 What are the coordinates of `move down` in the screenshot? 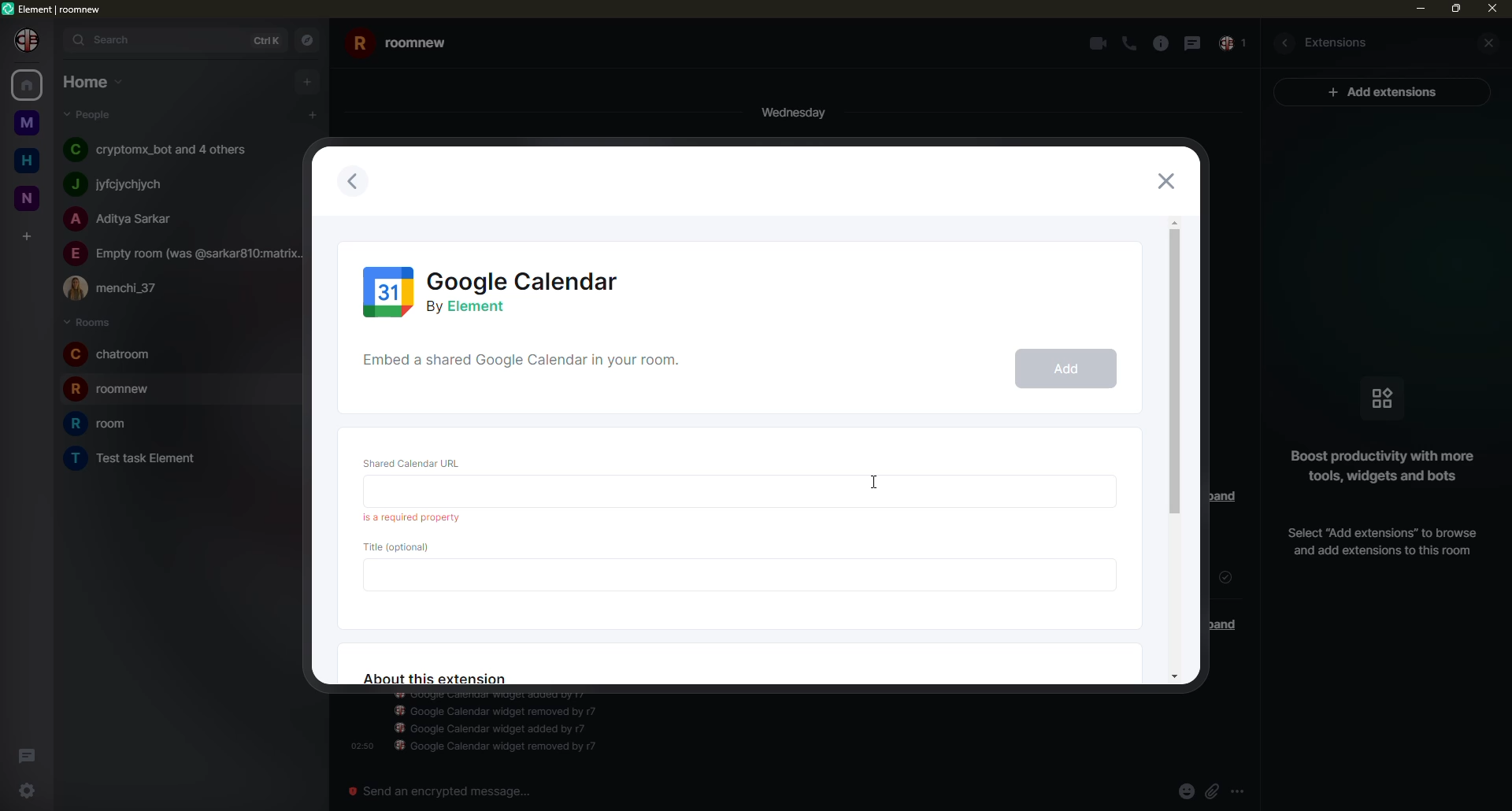 It's located at (1173, 674).